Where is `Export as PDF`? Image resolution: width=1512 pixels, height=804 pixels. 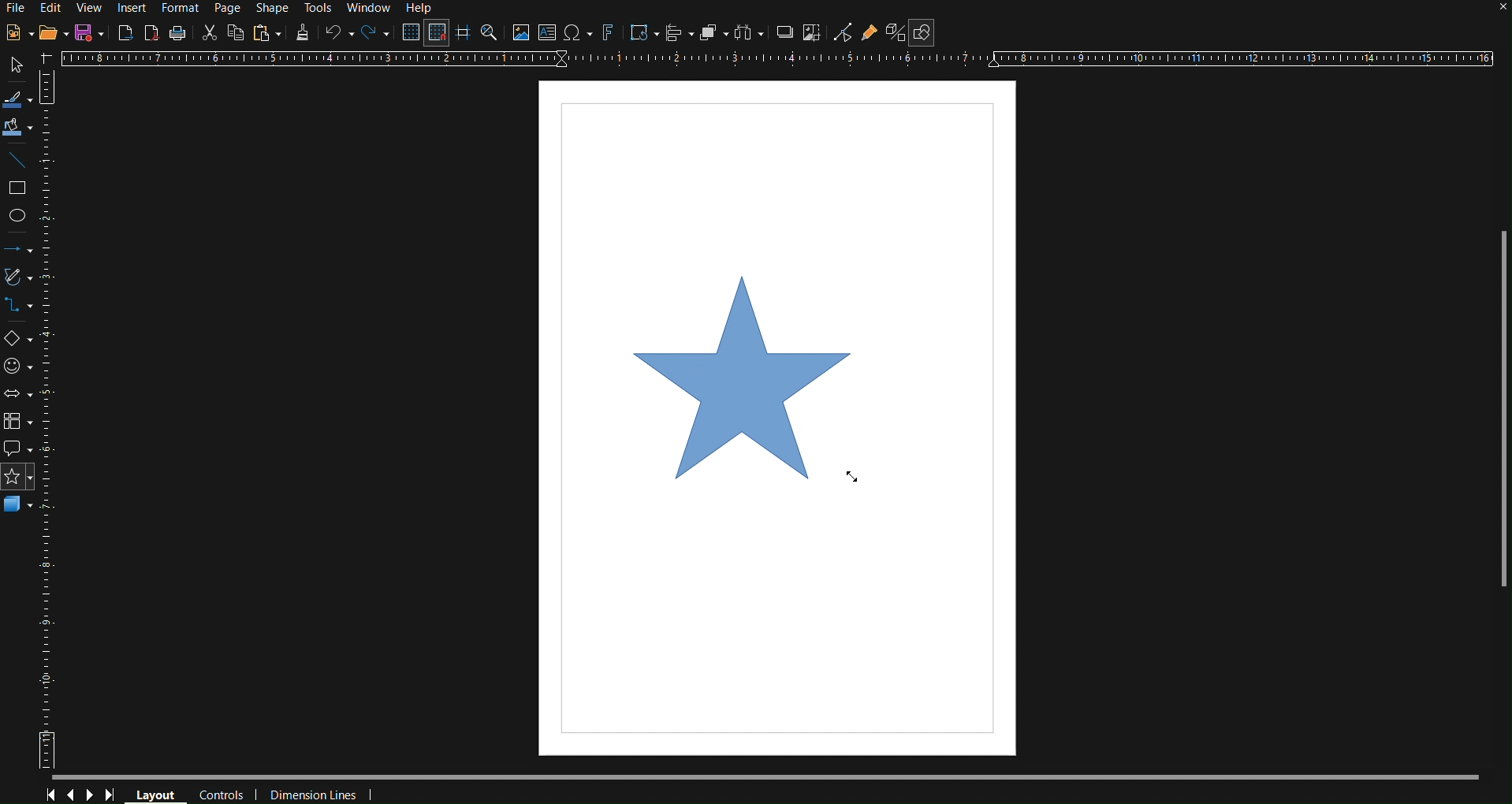
Export as PDF is located at coordinates (152, 32).